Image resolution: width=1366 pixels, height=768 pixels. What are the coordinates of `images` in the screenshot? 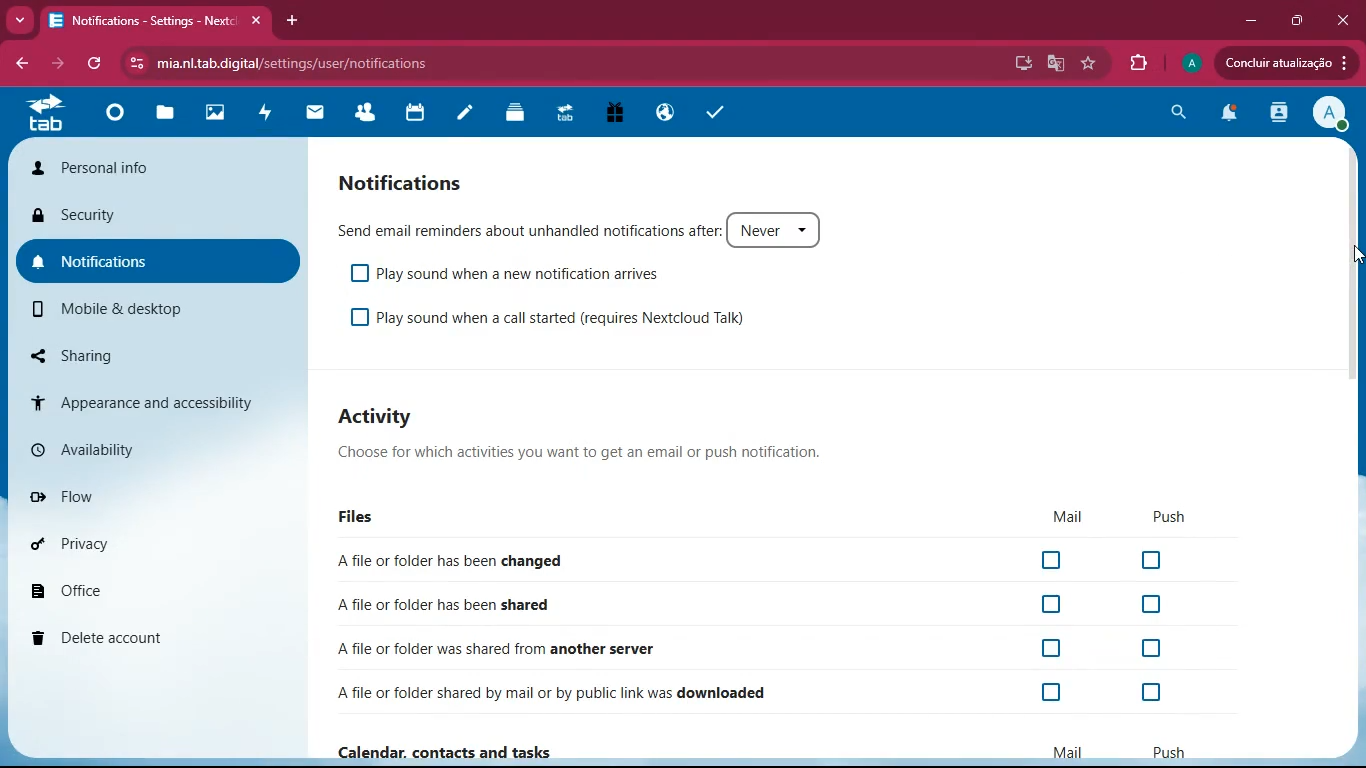 It's located at (222, 115).